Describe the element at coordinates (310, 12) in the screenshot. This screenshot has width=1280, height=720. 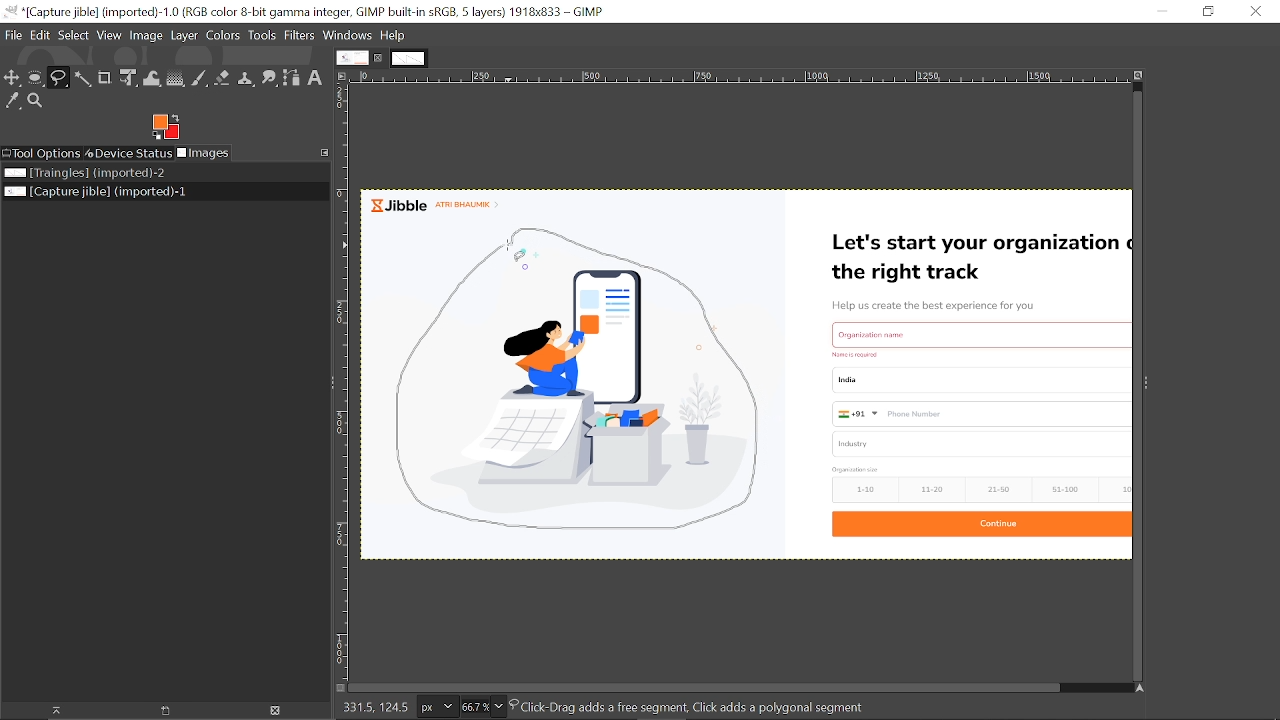
I see `Current window ` at that location.